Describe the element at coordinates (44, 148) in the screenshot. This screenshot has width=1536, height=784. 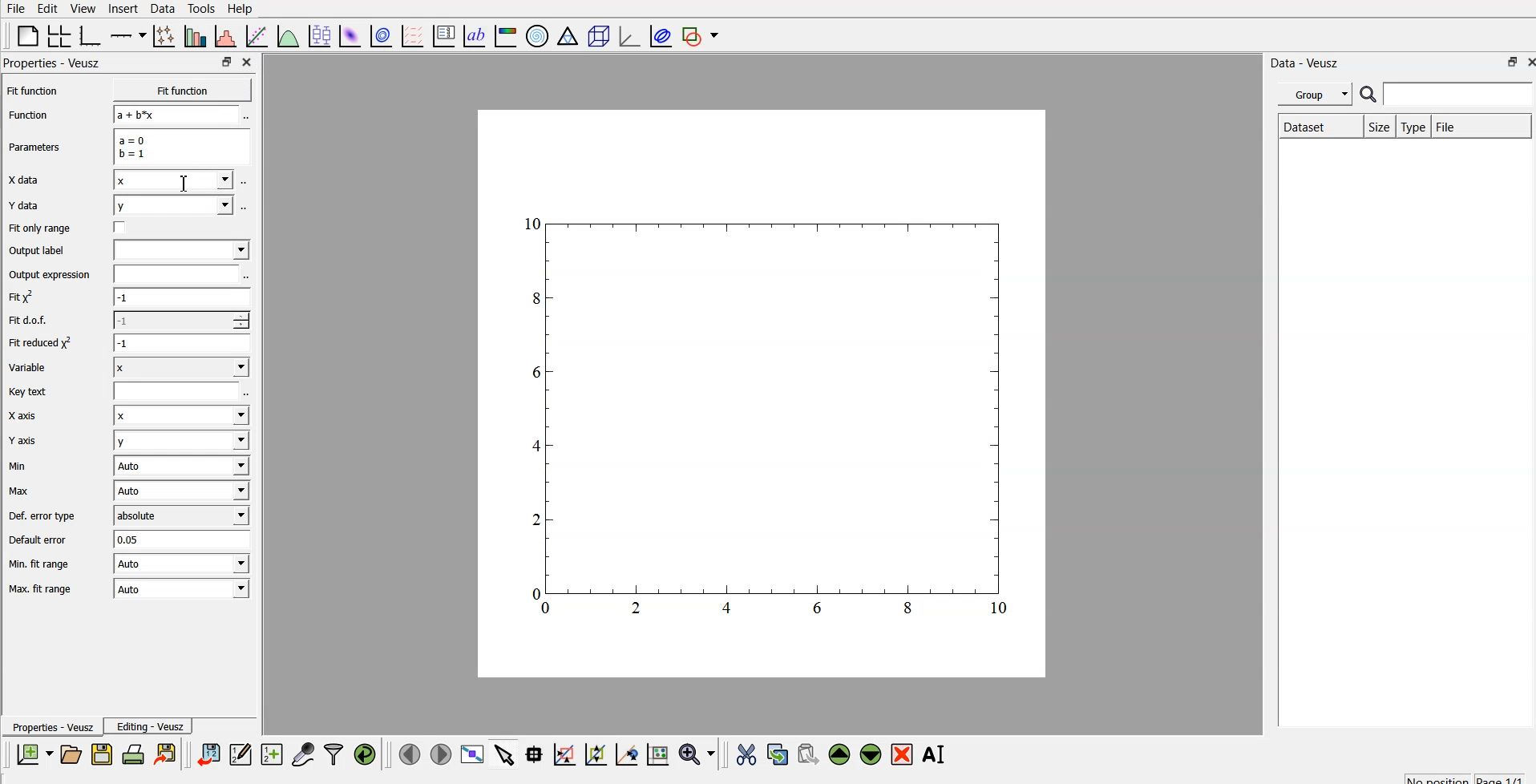
I see `Parameters` at that location.